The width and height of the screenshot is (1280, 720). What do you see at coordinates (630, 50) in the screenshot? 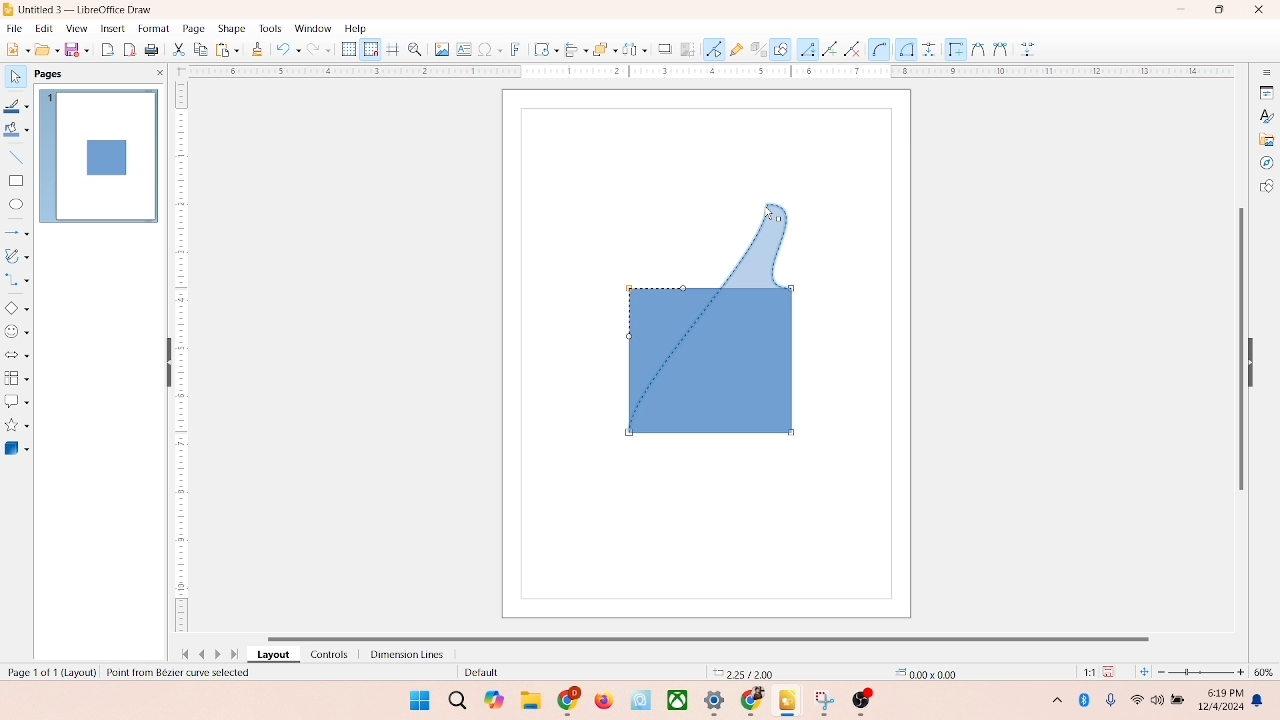
I see `select at least three object to distribute` at bounding box center [630, 50].